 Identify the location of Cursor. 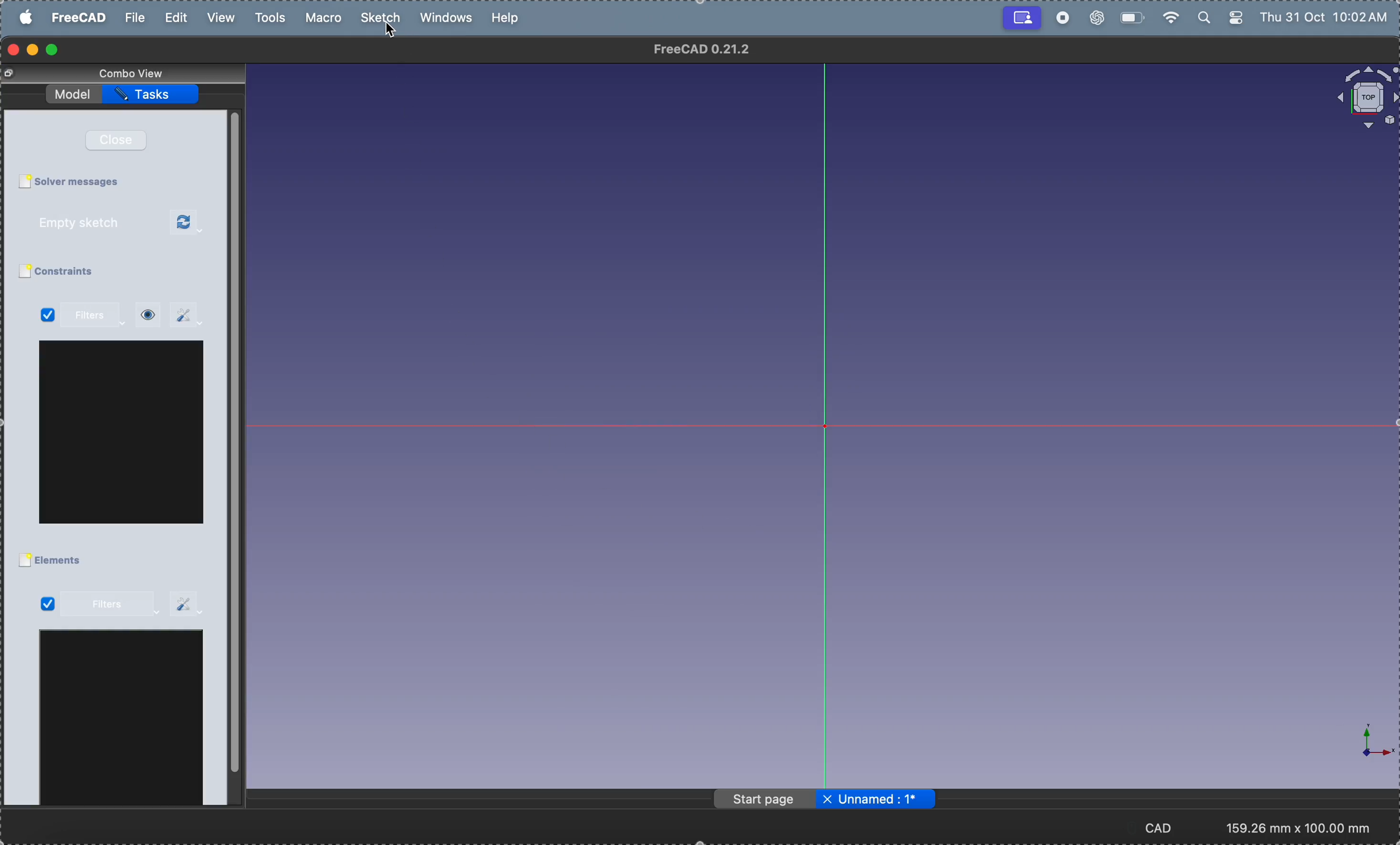
(391, 32).